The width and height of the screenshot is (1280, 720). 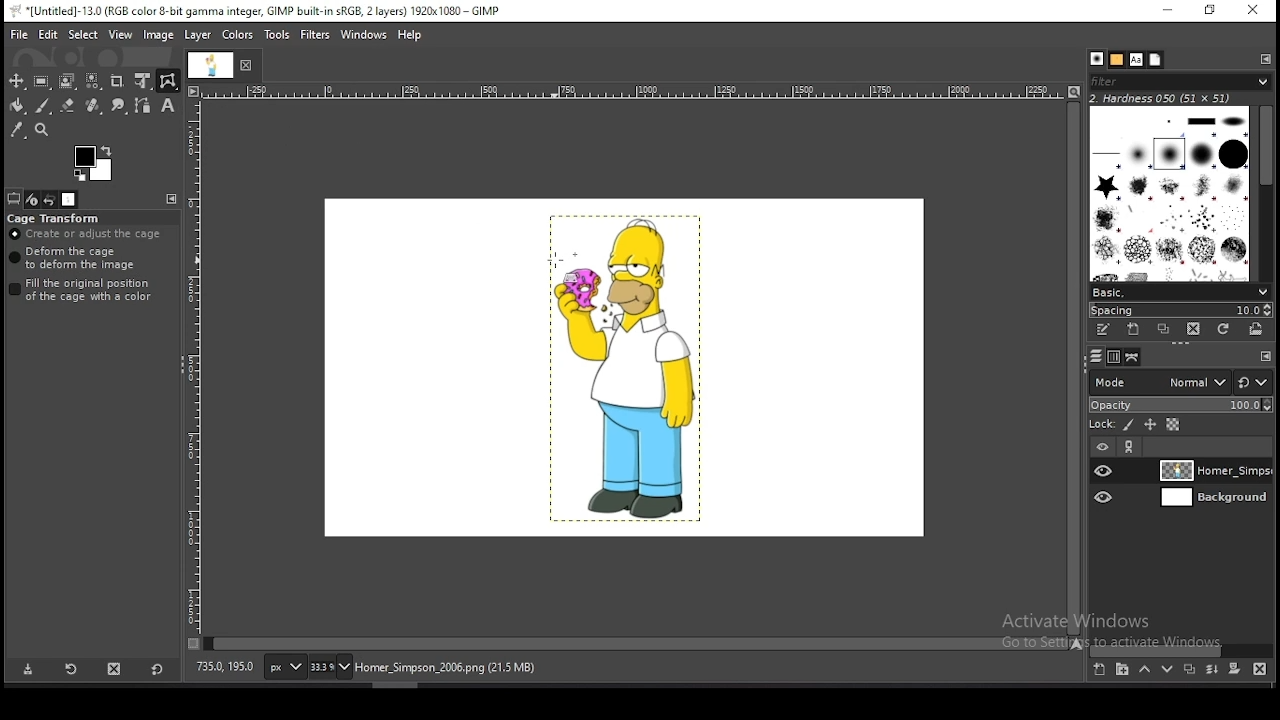 What do you see at coordinates (1136, 331) in the screenshot?
I see `create a new brush` at bounding box center [1136, 331].